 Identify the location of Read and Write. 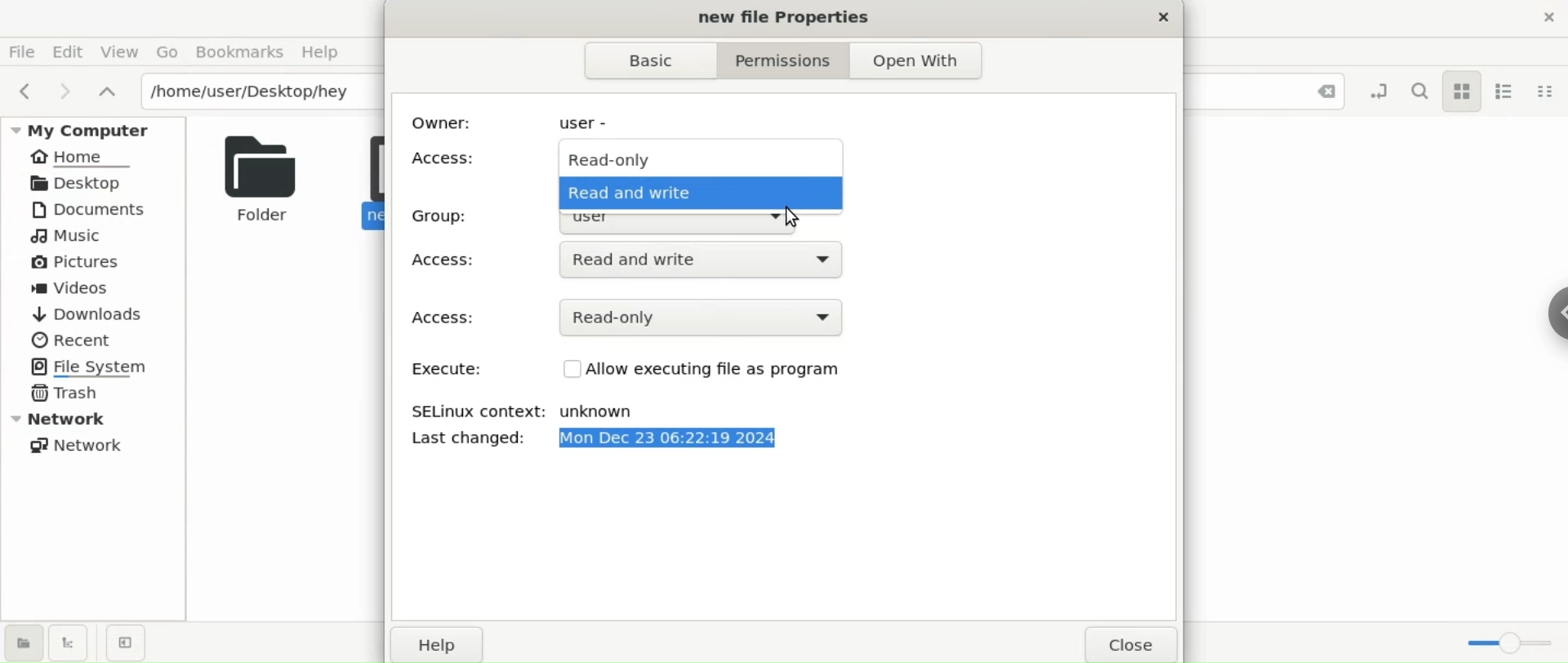
(696, 194).